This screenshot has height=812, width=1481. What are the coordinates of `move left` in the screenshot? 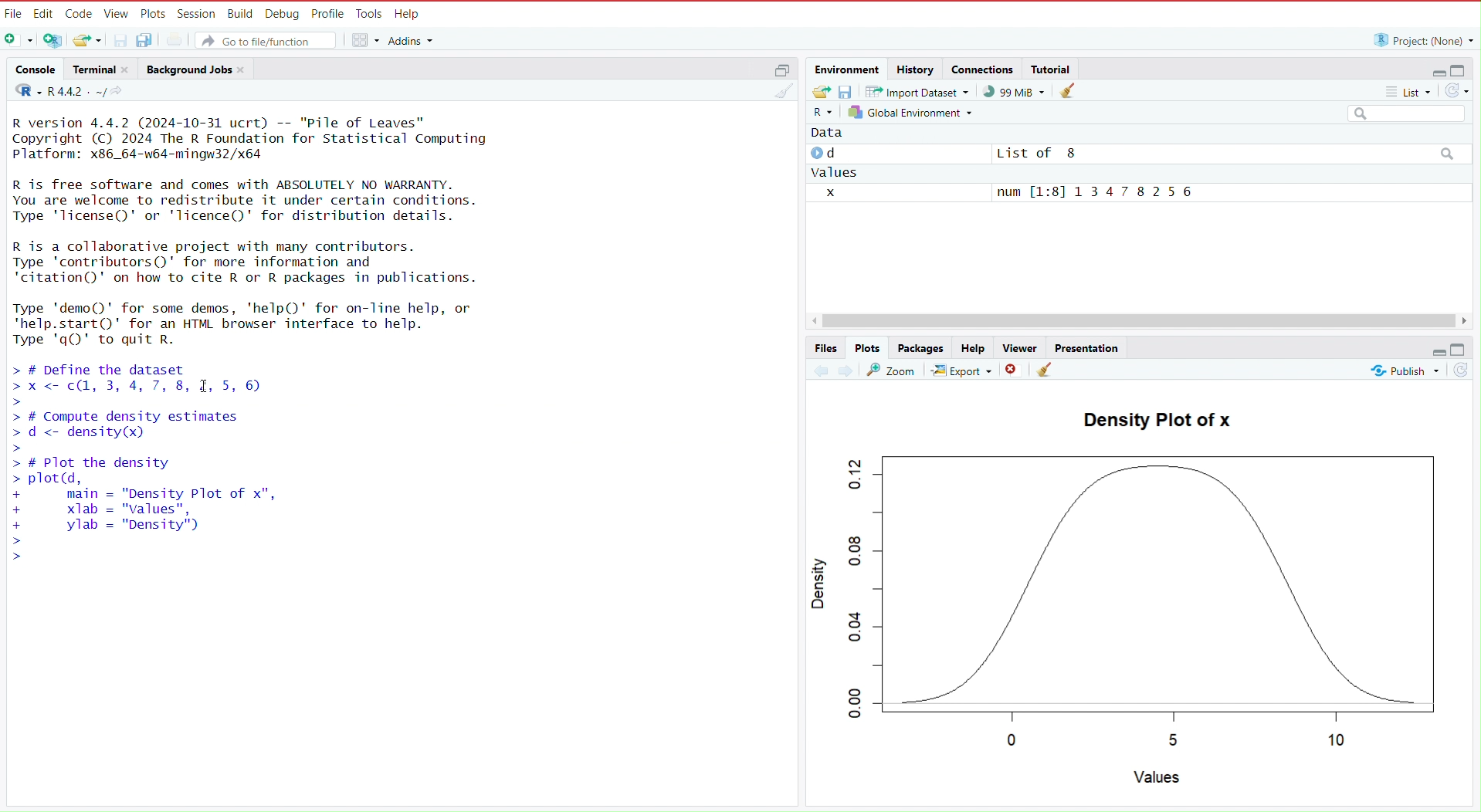 It's located at (812, 319).